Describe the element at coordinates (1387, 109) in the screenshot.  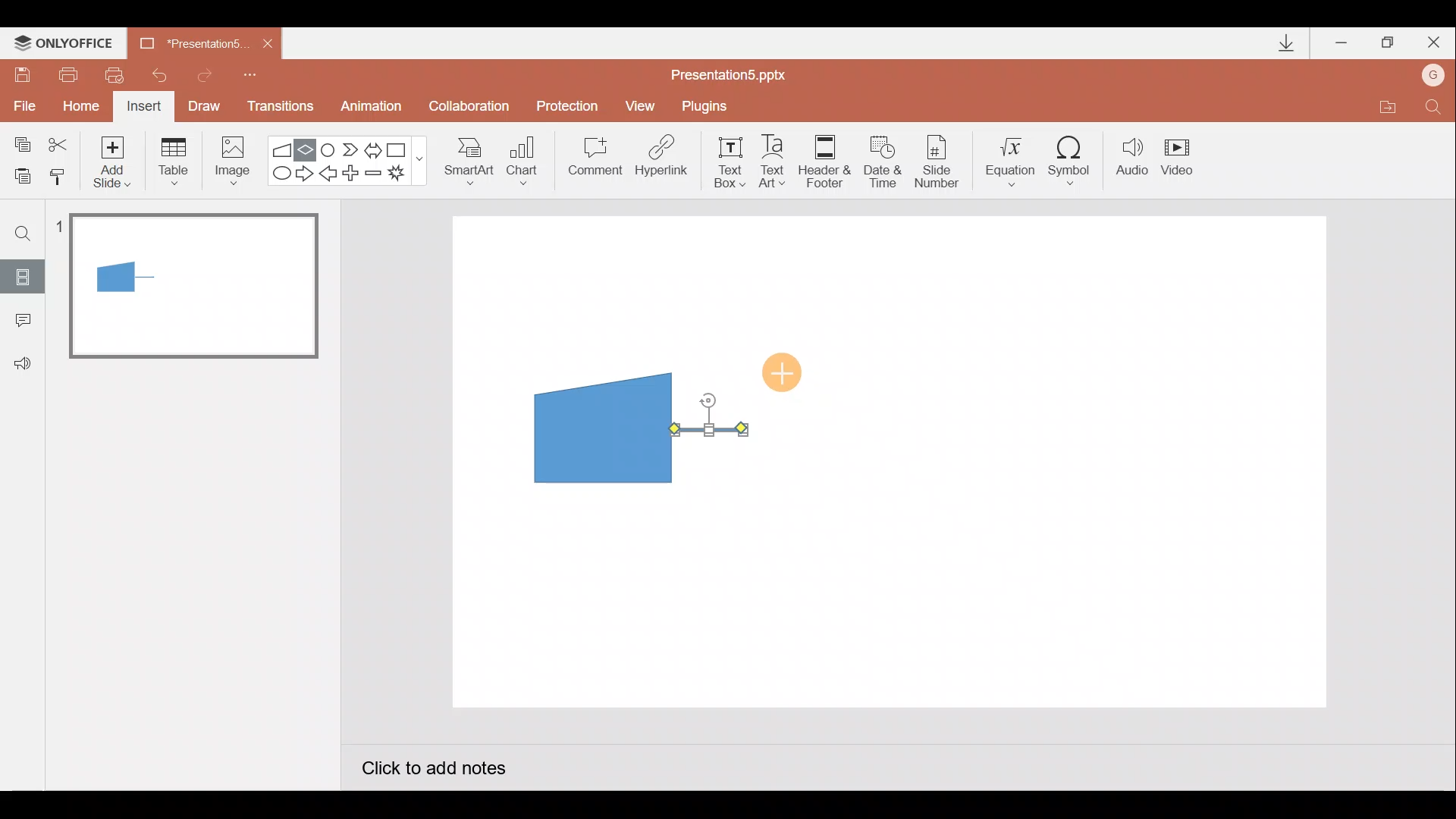
I see `Open file location` at that location.